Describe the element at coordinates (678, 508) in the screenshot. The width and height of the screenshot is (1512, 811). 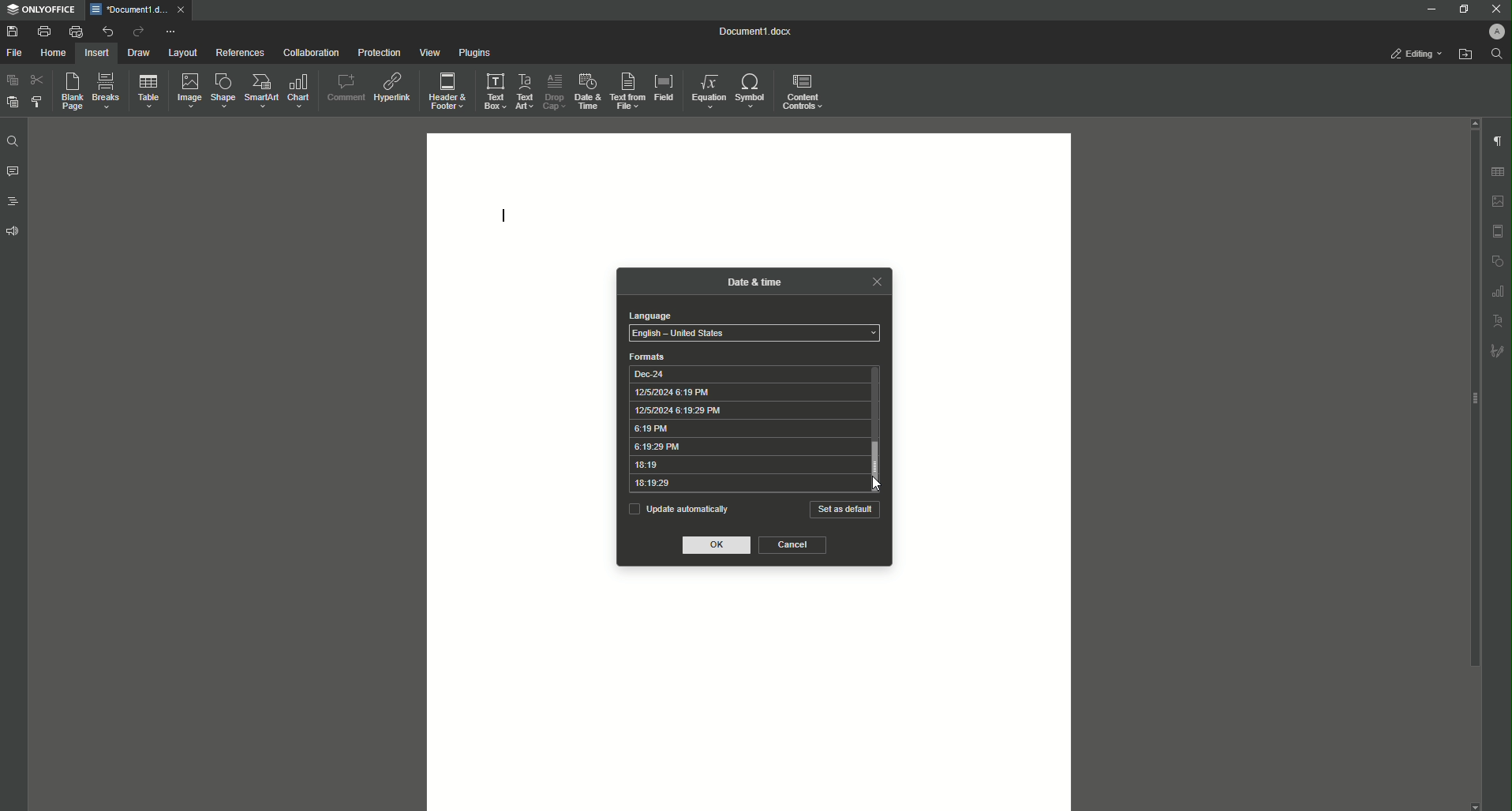
I see `Update automatically` at that location.